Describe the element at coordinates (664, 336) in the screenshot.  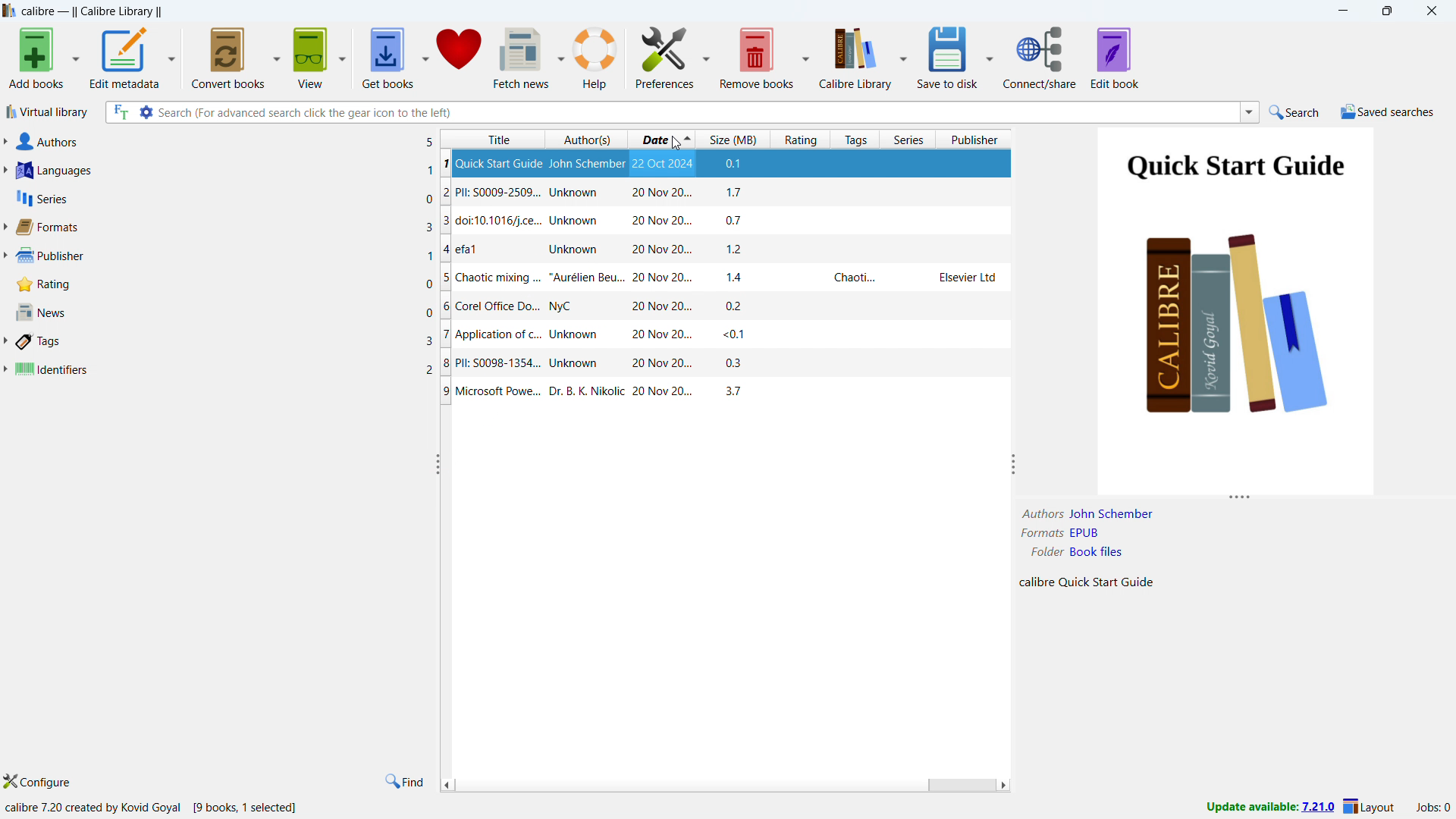
I see `20 Nov 20..` at that location.